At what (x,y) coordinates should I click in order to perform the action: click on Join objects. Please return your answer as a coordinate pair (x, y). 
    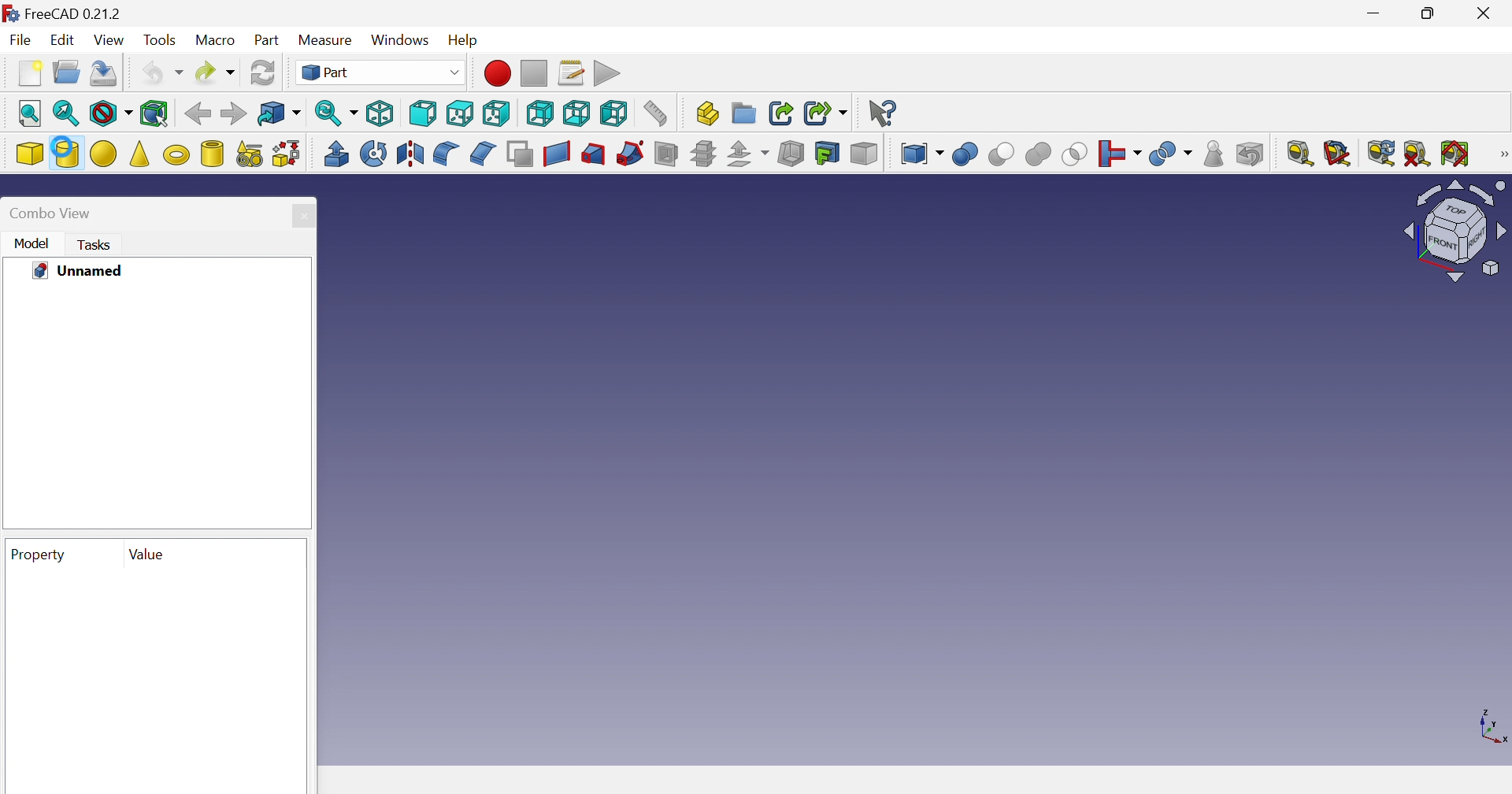
    Looking at the image, I should click on (1119, 154).